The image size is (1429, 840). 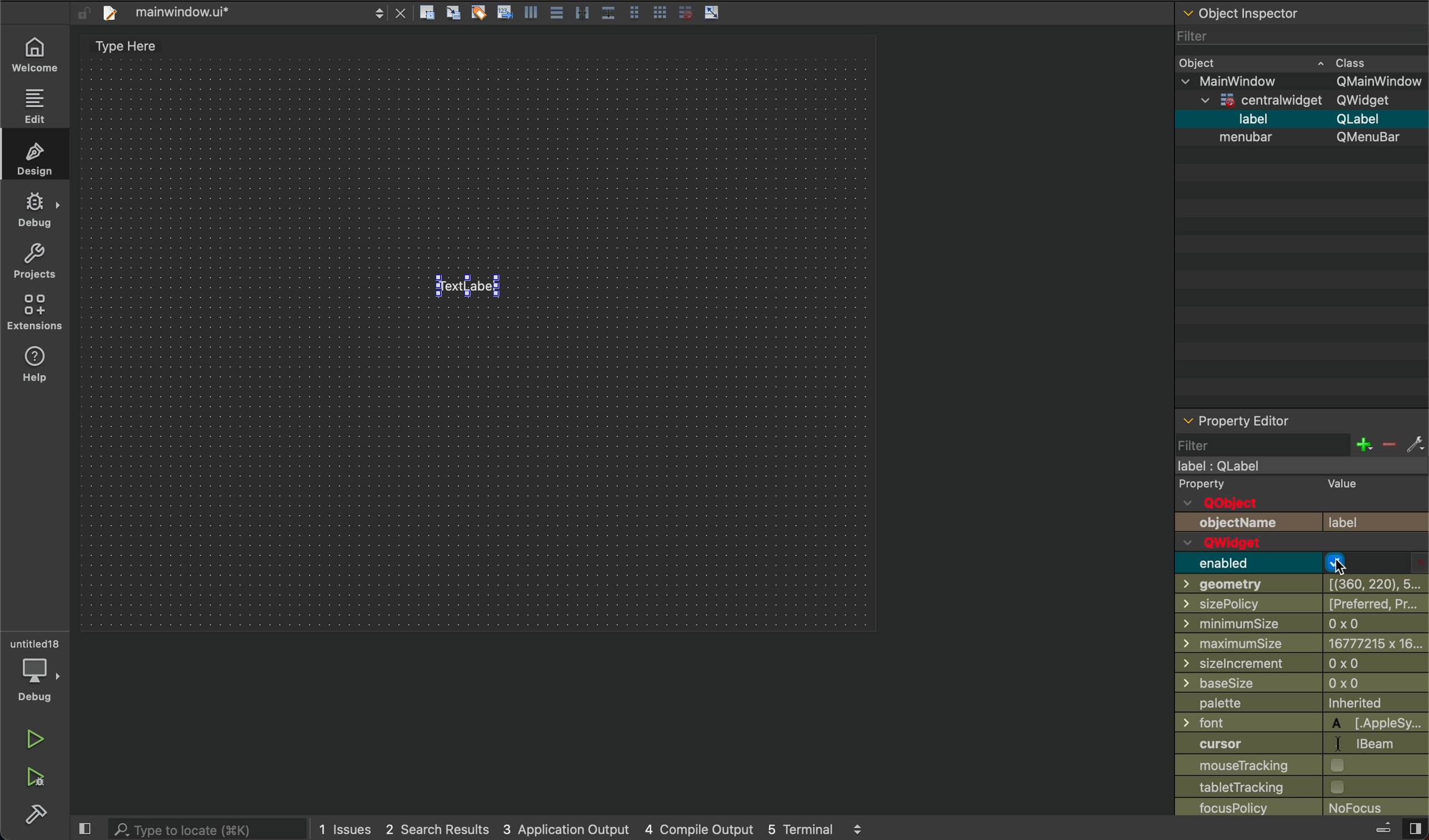 I want to click on centrawidget, so click(x=1258, y=99).